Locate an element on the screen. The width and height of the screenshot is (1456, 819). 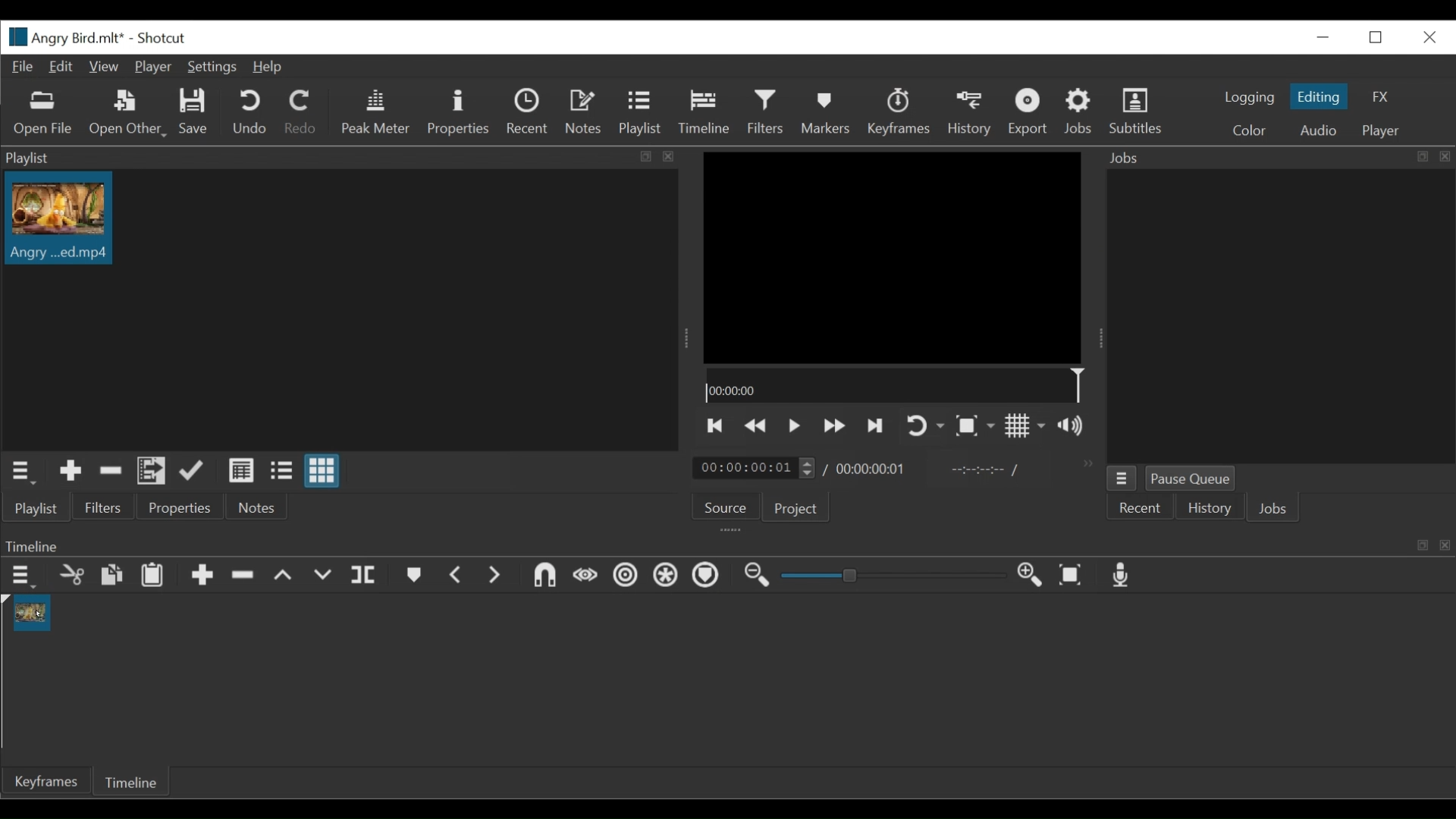
Filters is located at coordinates (767, 111).